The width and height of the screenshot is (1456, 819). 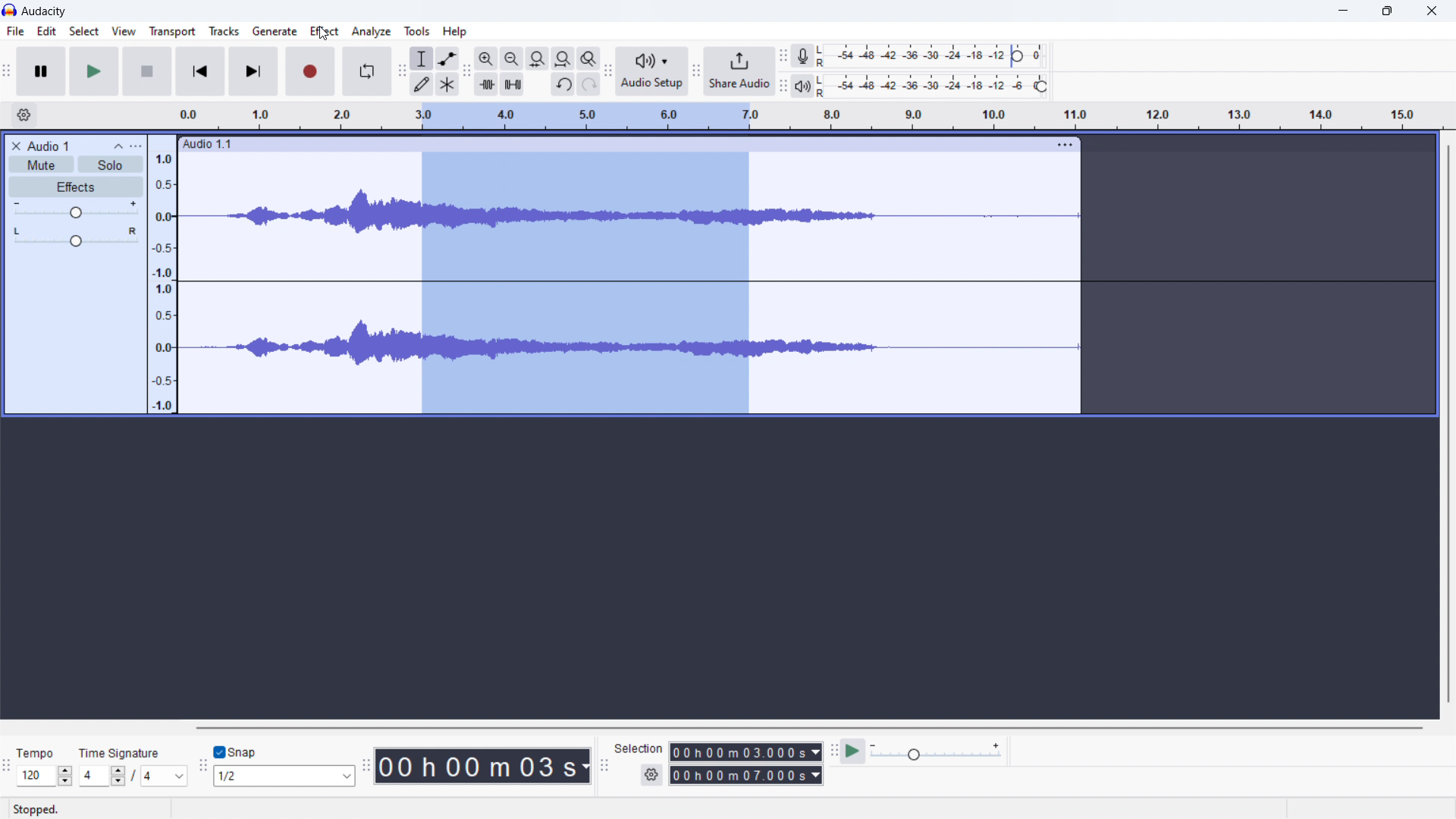 What do you see at coordinates (652, 73) in the screenshot?
I see `audio setup` at bounding box center [652, 73].